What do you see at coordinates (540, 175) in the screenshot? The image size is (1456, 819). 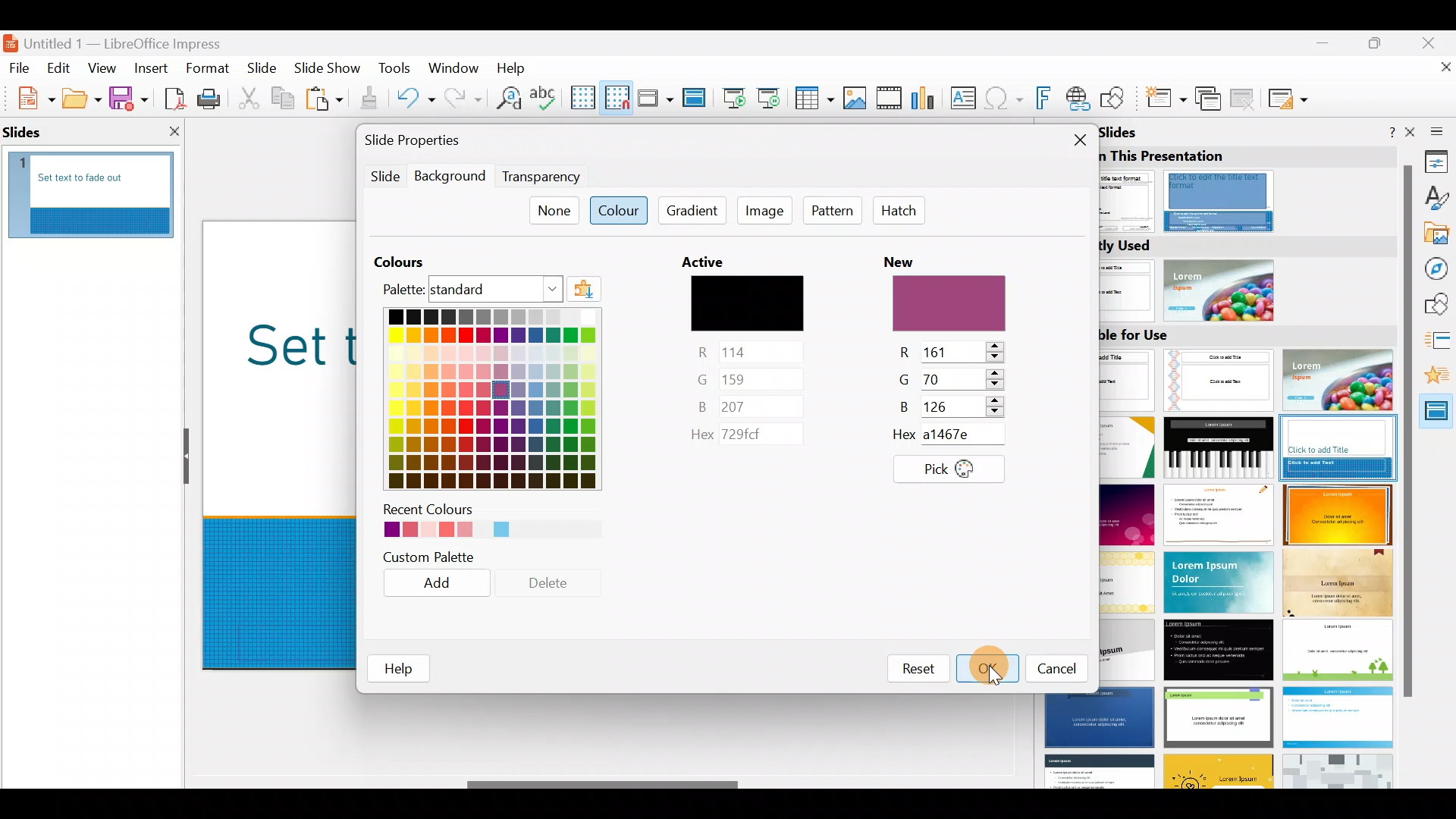 I see `Transparency` at bounding box center [540, 175].